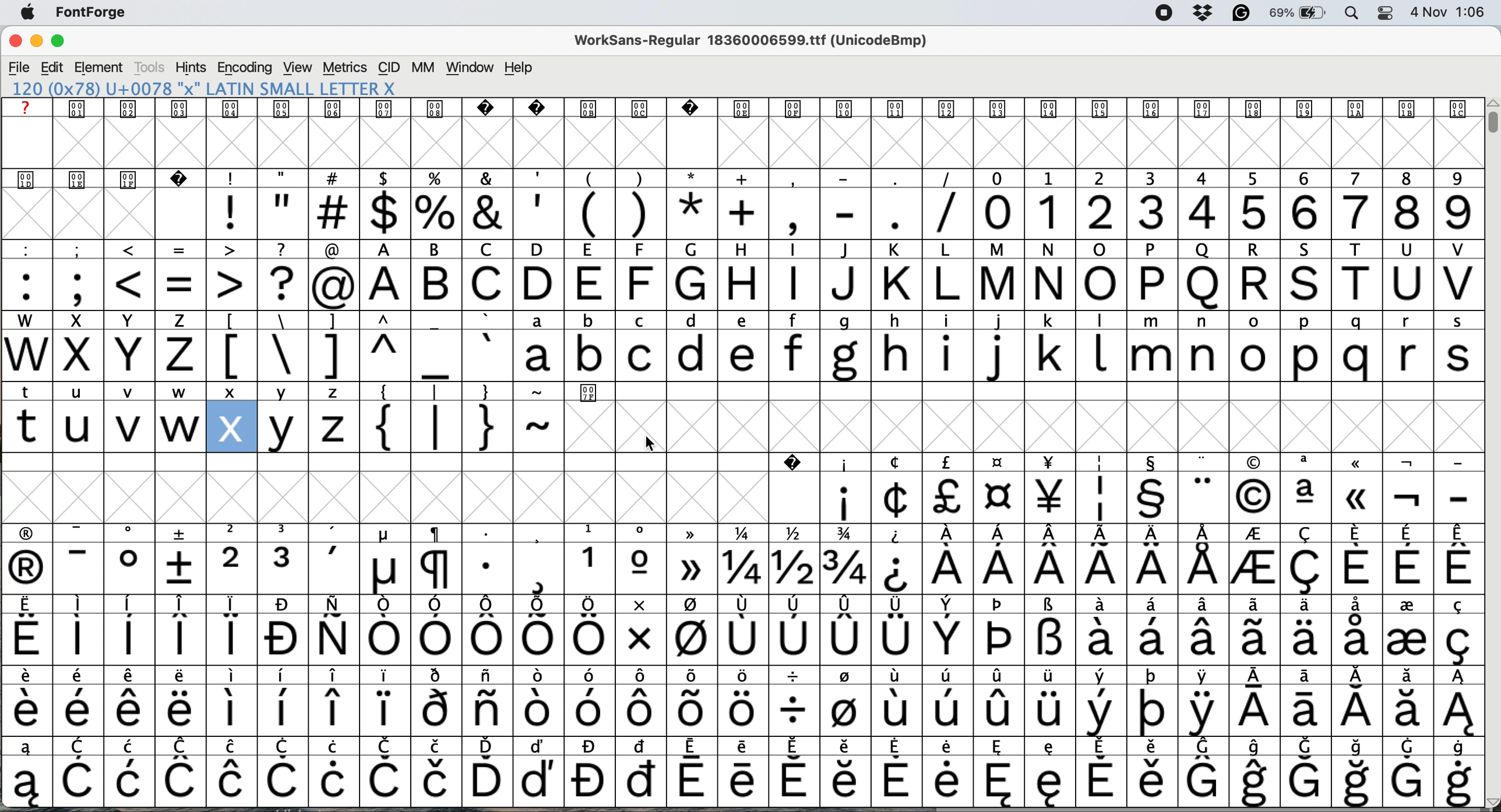  What do you see at coordinates (1298, 13) in the screenshot?
I see `battery` at bounding box center [1298, 13].